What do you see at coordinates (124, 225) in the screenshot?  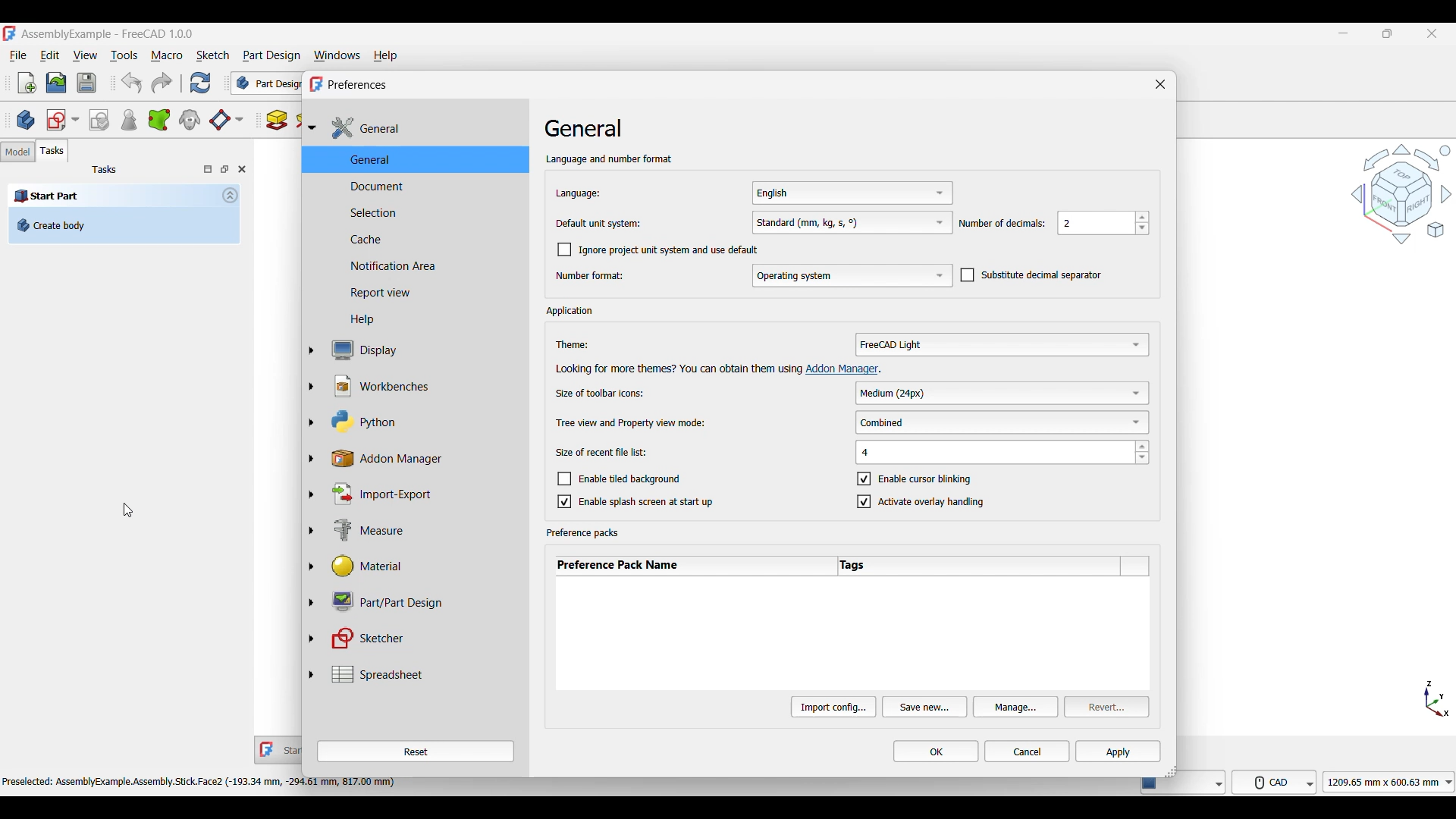 I see `Create body` at bounding box center [124, 225].